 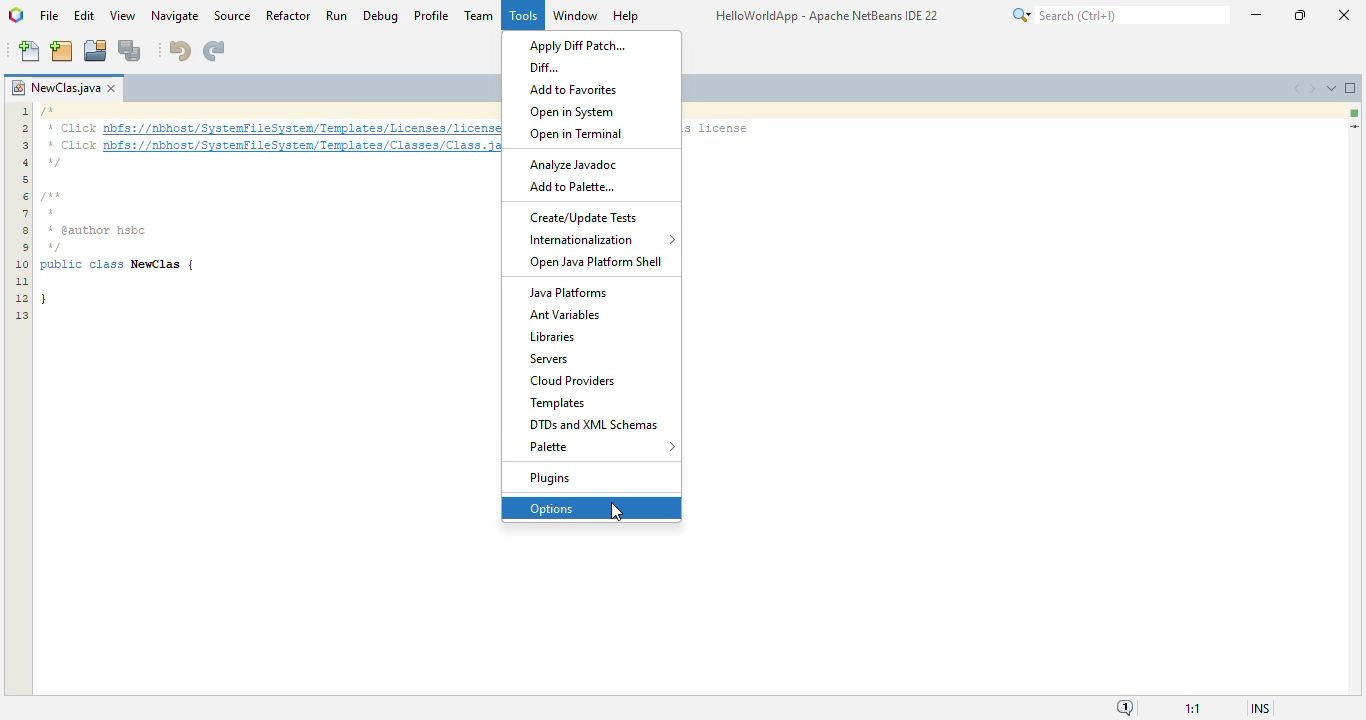 I want to click on plugins, so click(x=553, y=480).